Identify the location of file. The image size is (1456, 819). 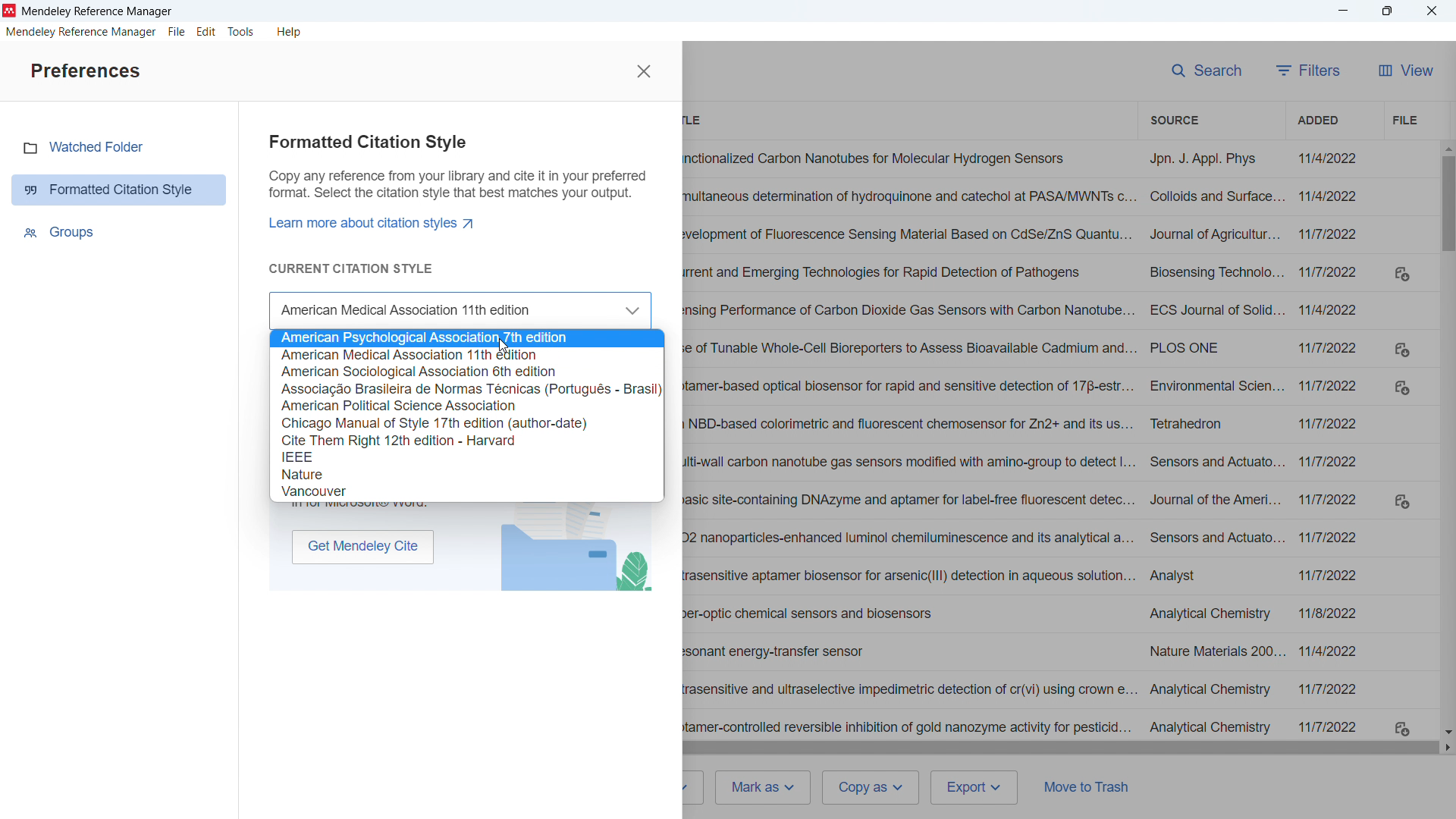
(177, 33).